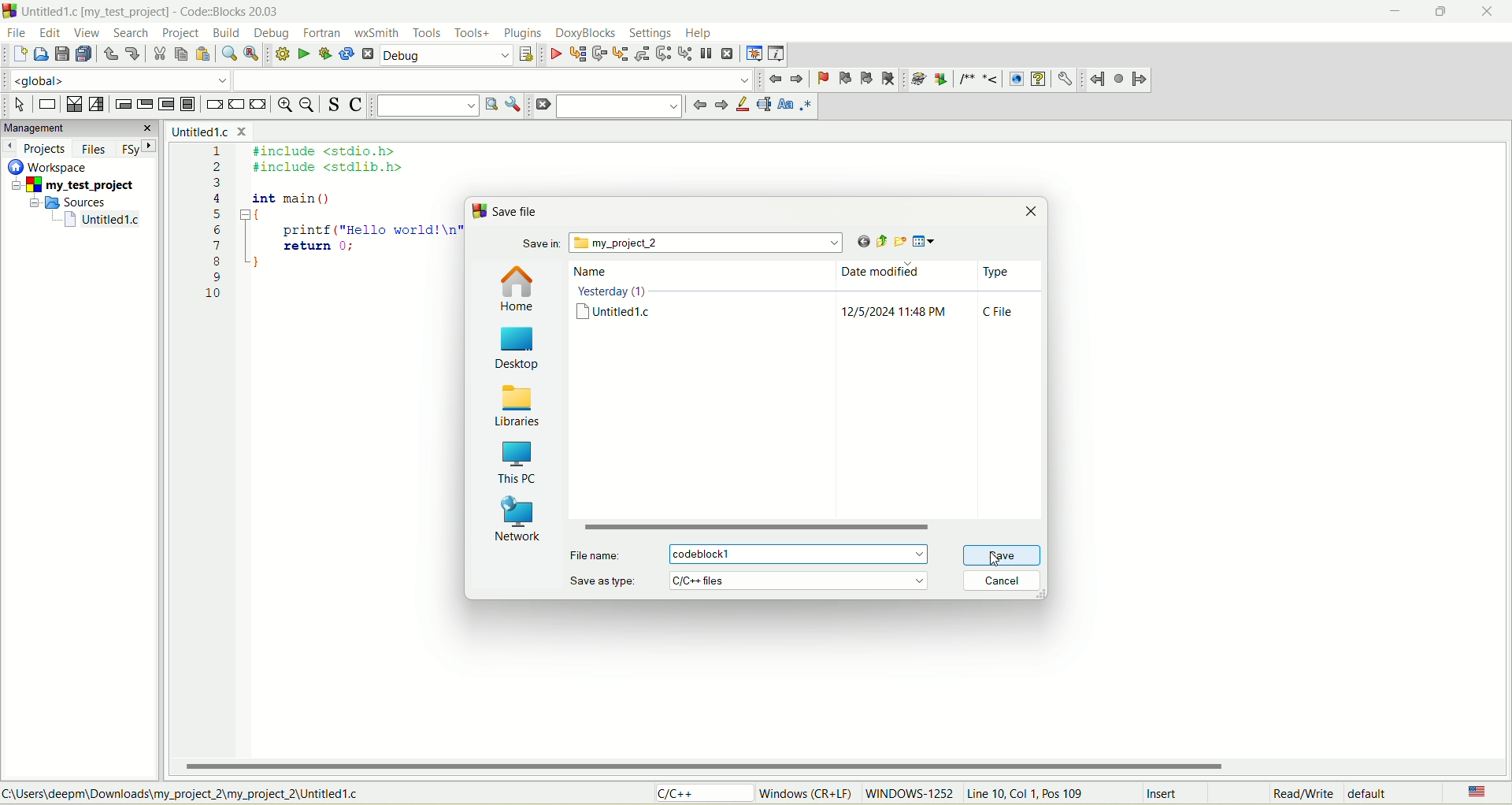 The width and height of the screenshot is (1512, 805). I want to click on date modified, so click(896, 296).